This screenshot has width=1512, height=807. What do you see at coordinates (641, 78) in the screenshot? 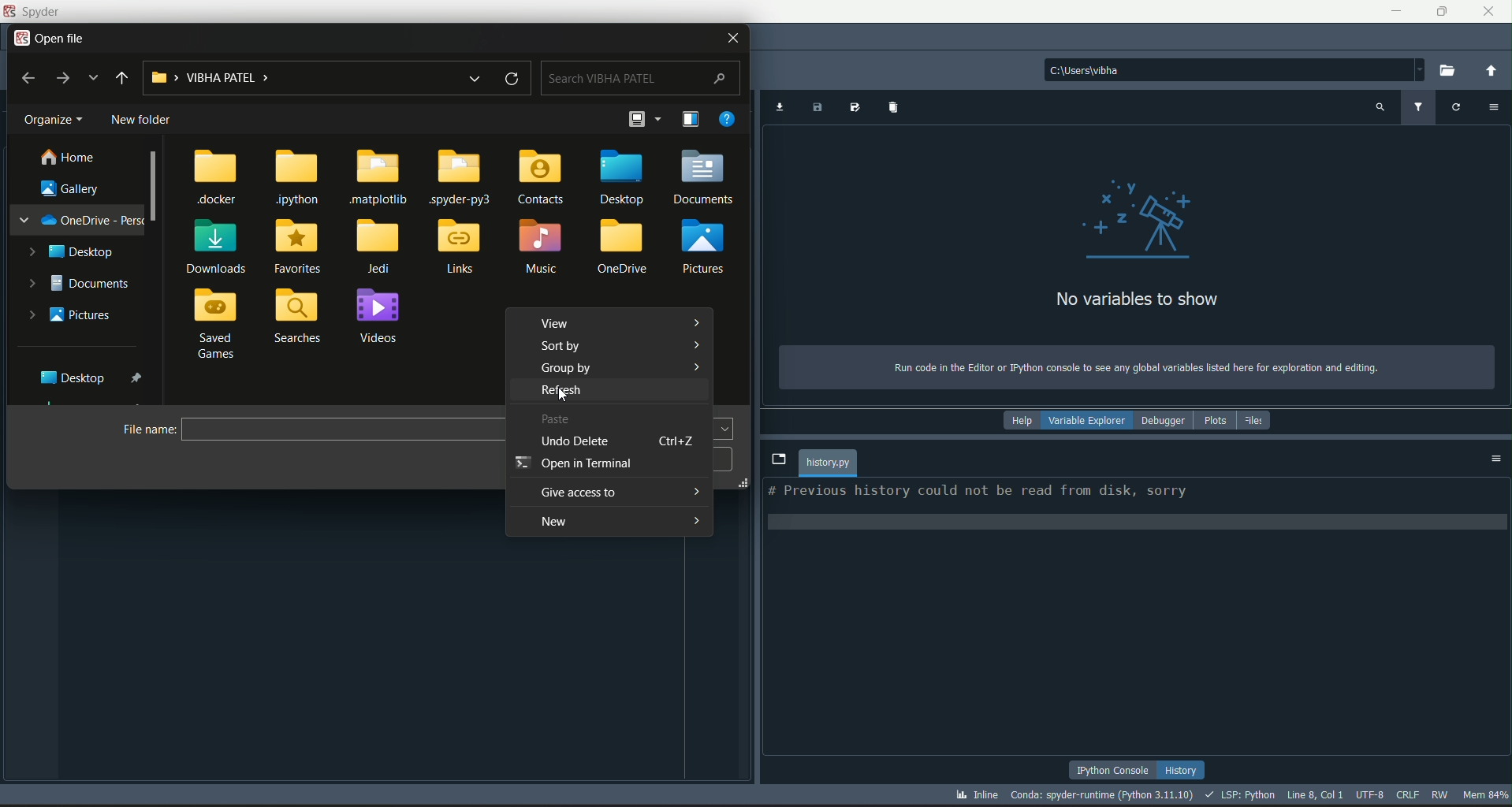
I see `search bar` at bounding box center [641, 78].